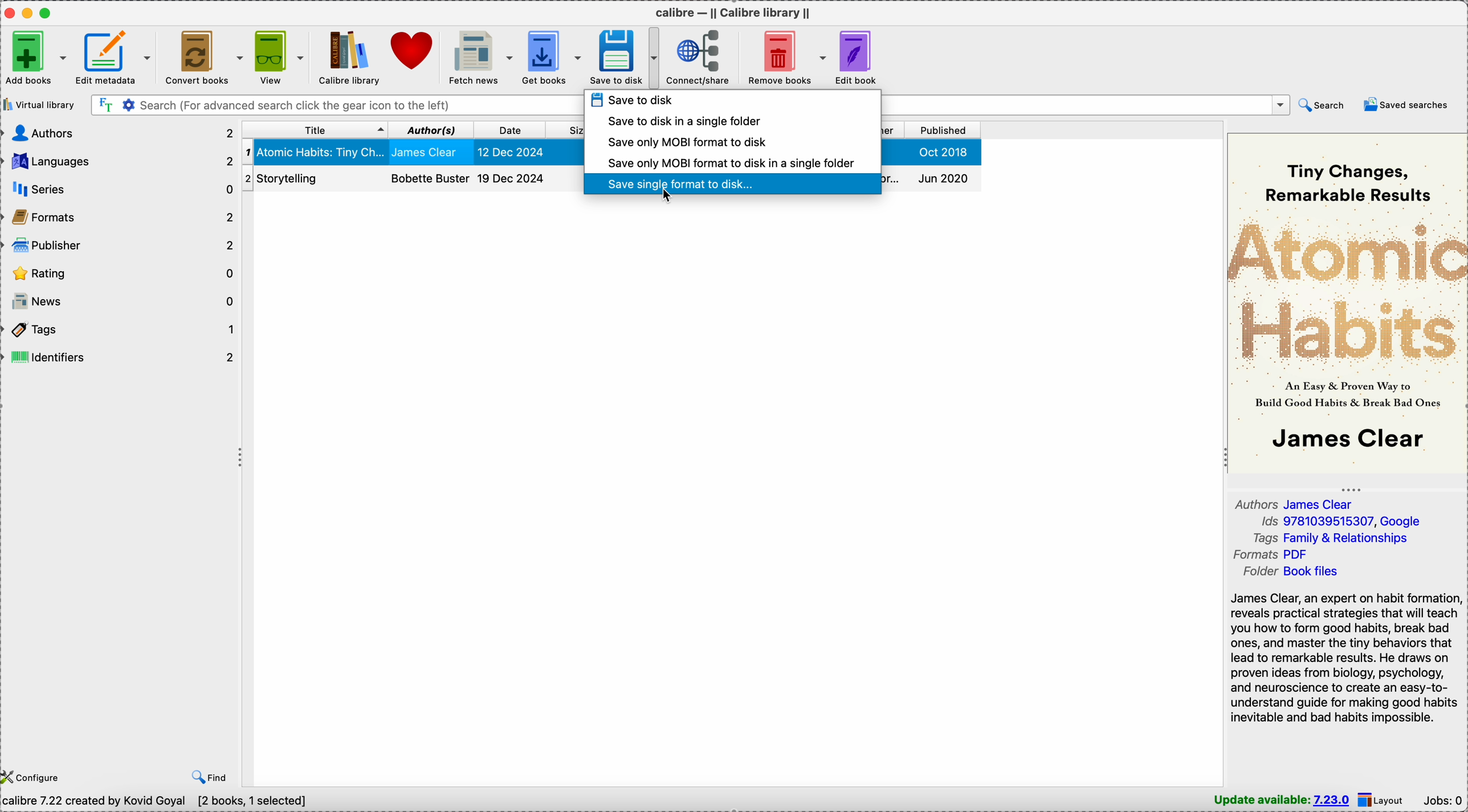 This screenshot has width=1468, height=812. I want to click on rating, so click(121, 274).